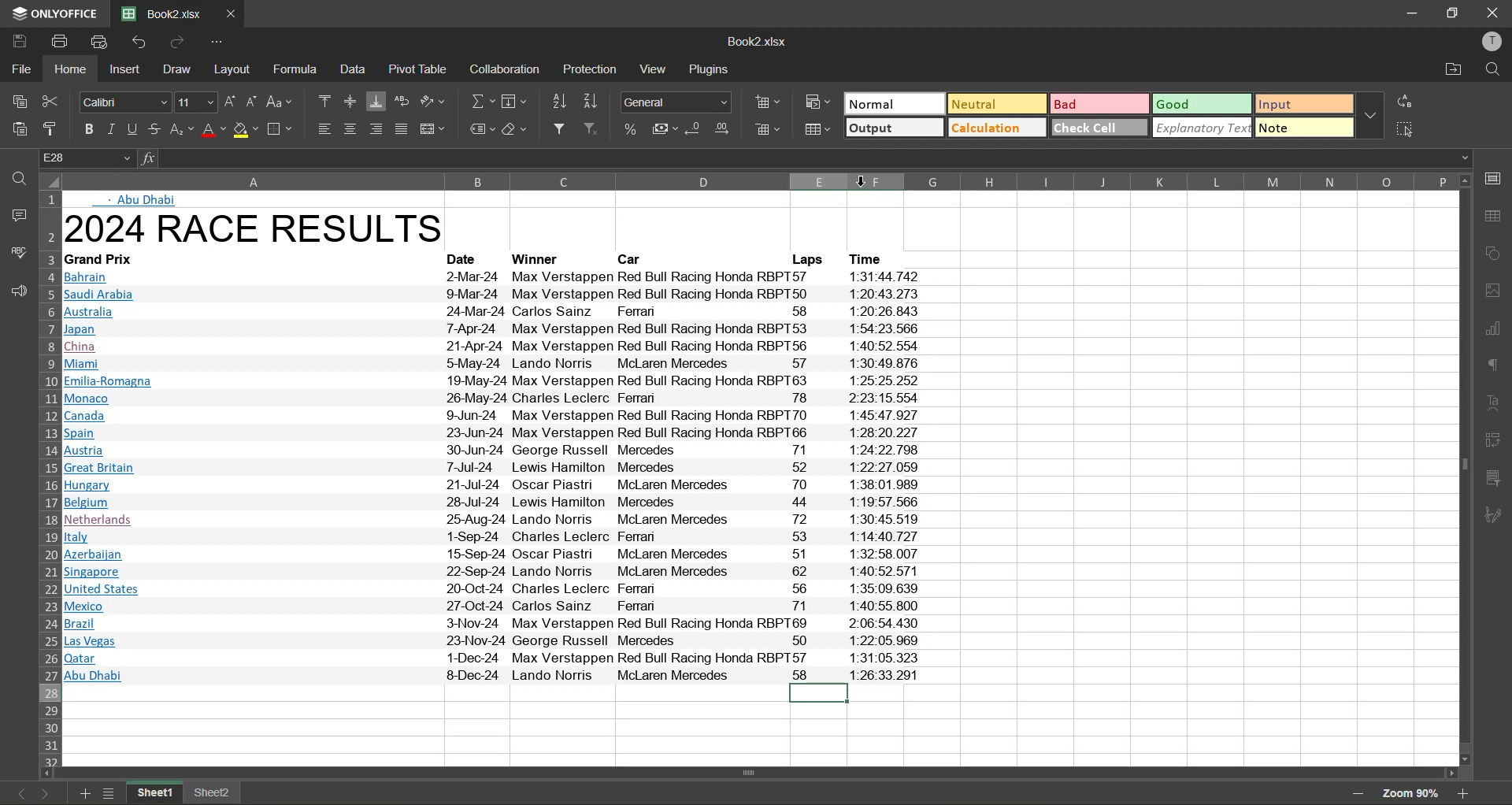 The width and height of the screenshot is (1512, 805). Describe the element at coordinates (1493, 41) in the screenshot. I see `profile` at that location.